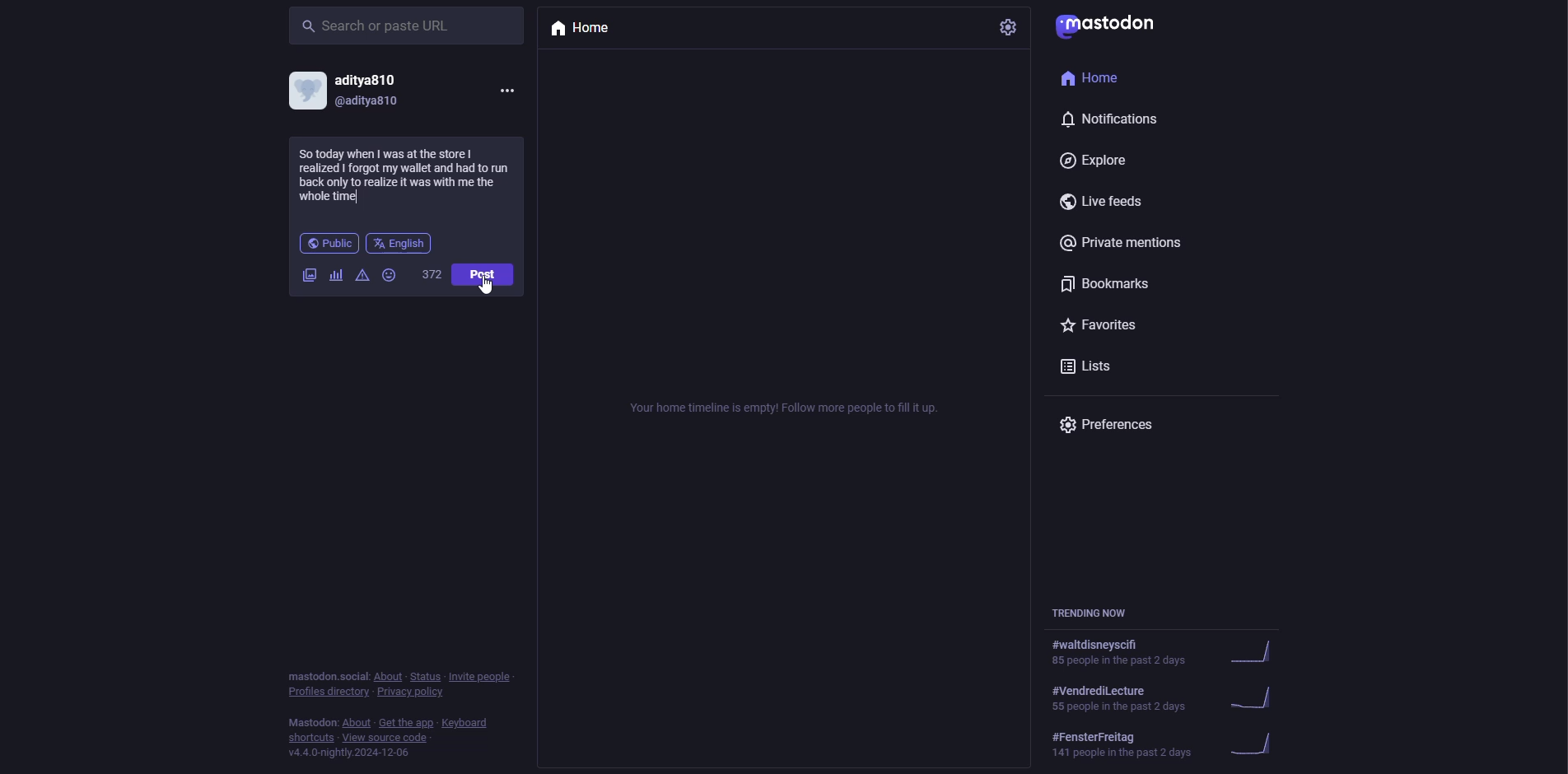  I want to click on trending now, so click(1169, 697).